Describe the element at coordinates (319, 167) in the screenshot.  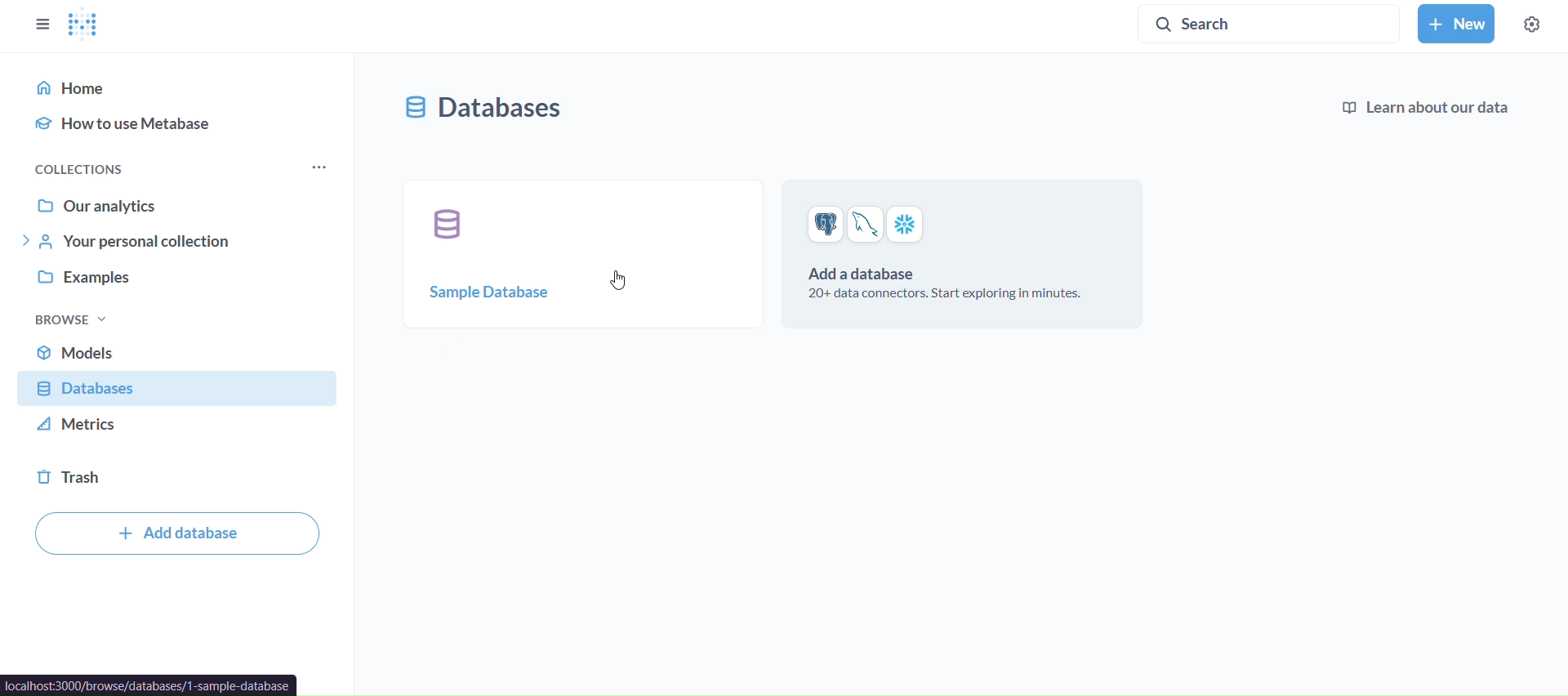
I see `more` at that location.